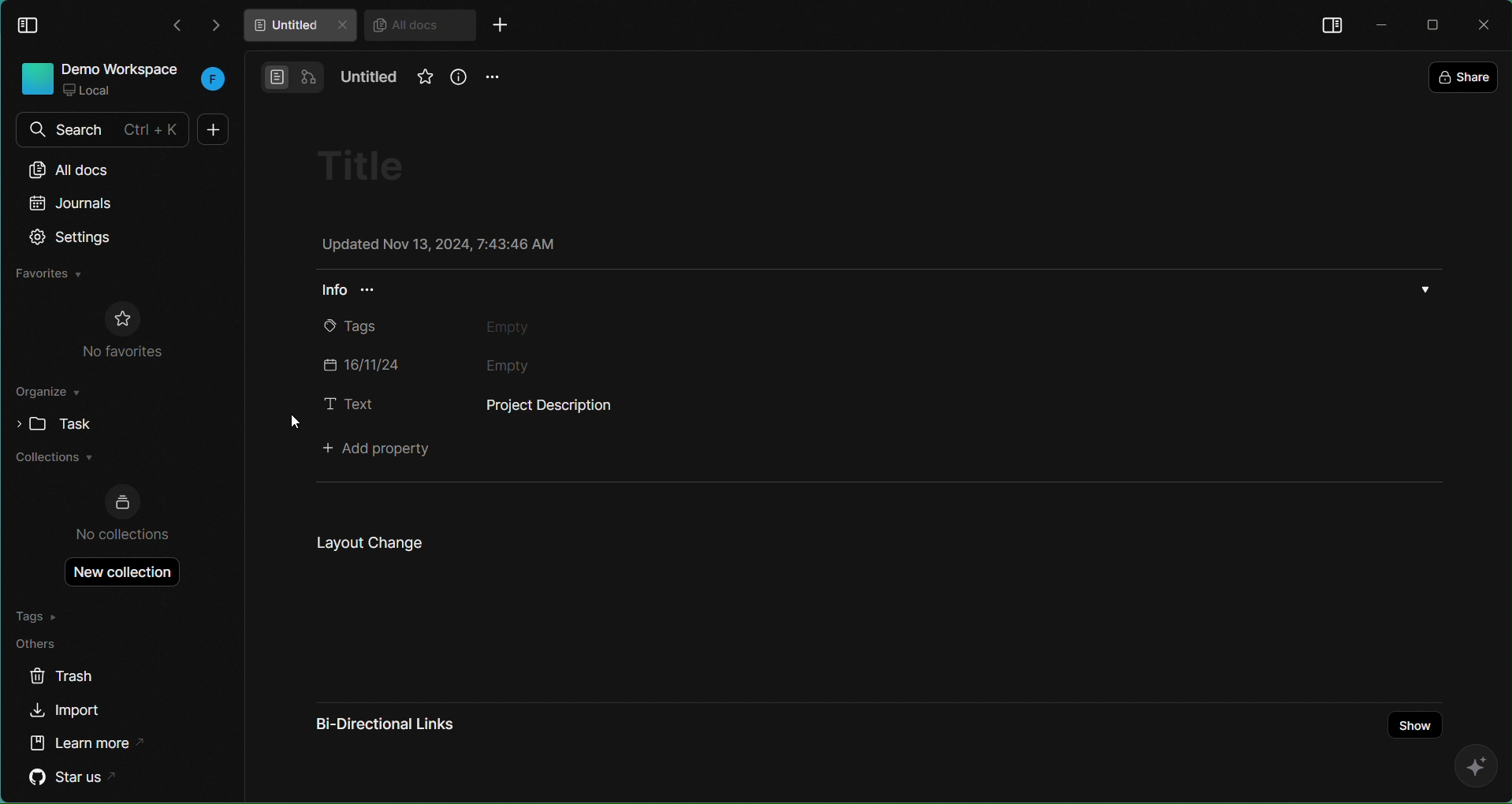  I want to click on icon, so click(1469, 767).